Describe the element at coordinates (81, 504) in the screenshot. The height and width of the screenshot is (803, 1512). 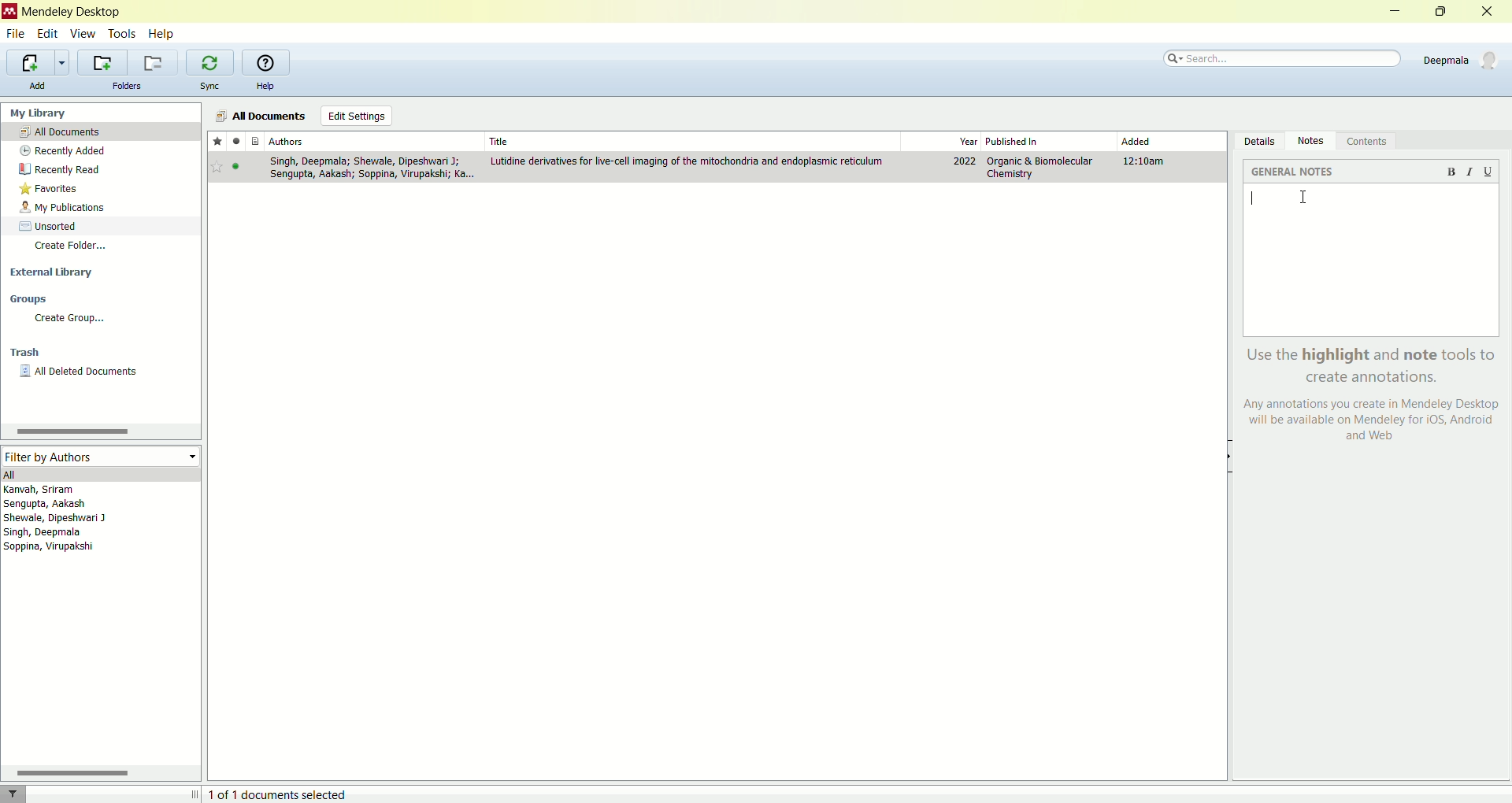
I see `Sengupta, Aakash` at that location.